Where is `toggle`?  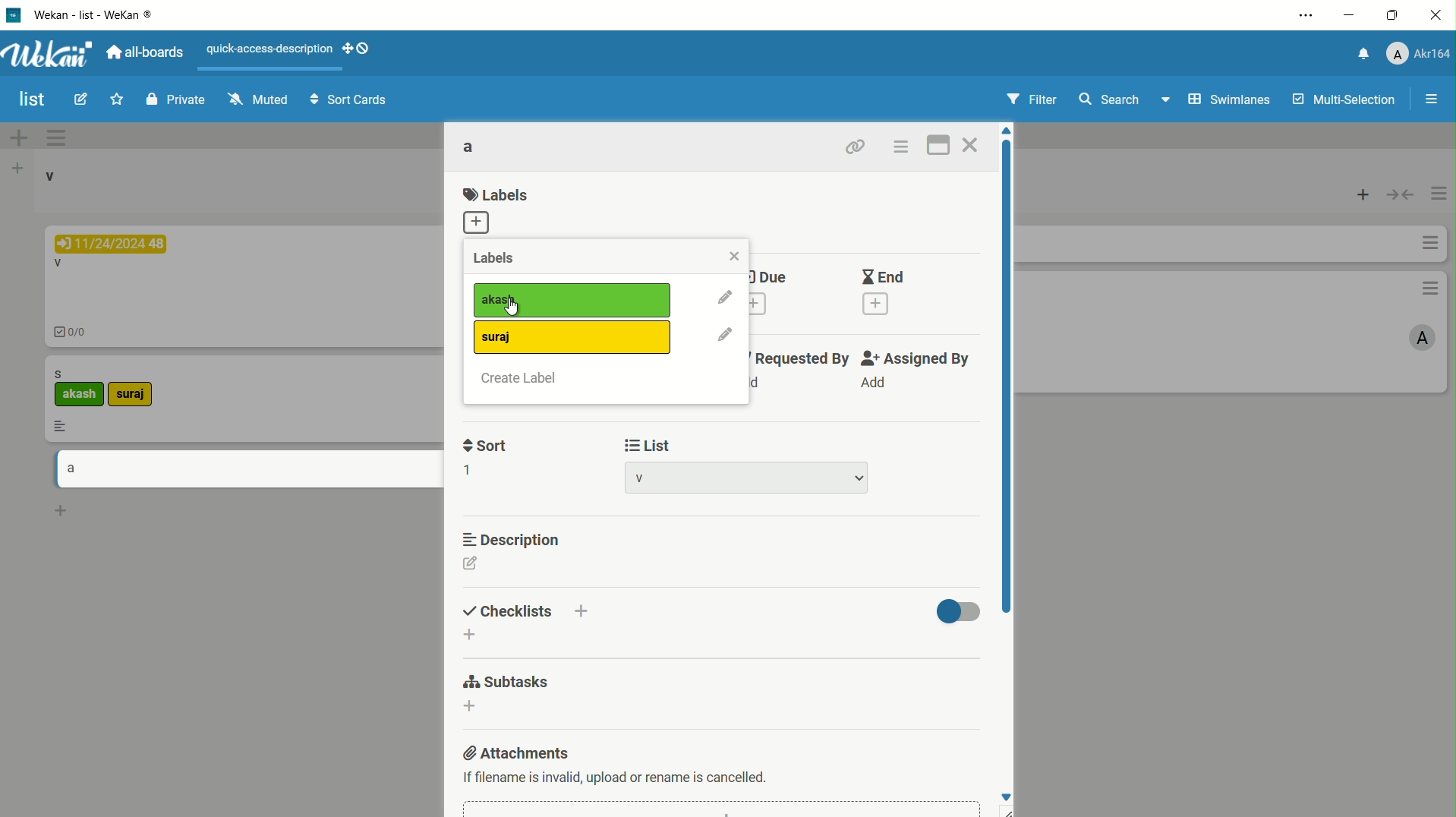
toggle is located at coordinates (1401, 197).